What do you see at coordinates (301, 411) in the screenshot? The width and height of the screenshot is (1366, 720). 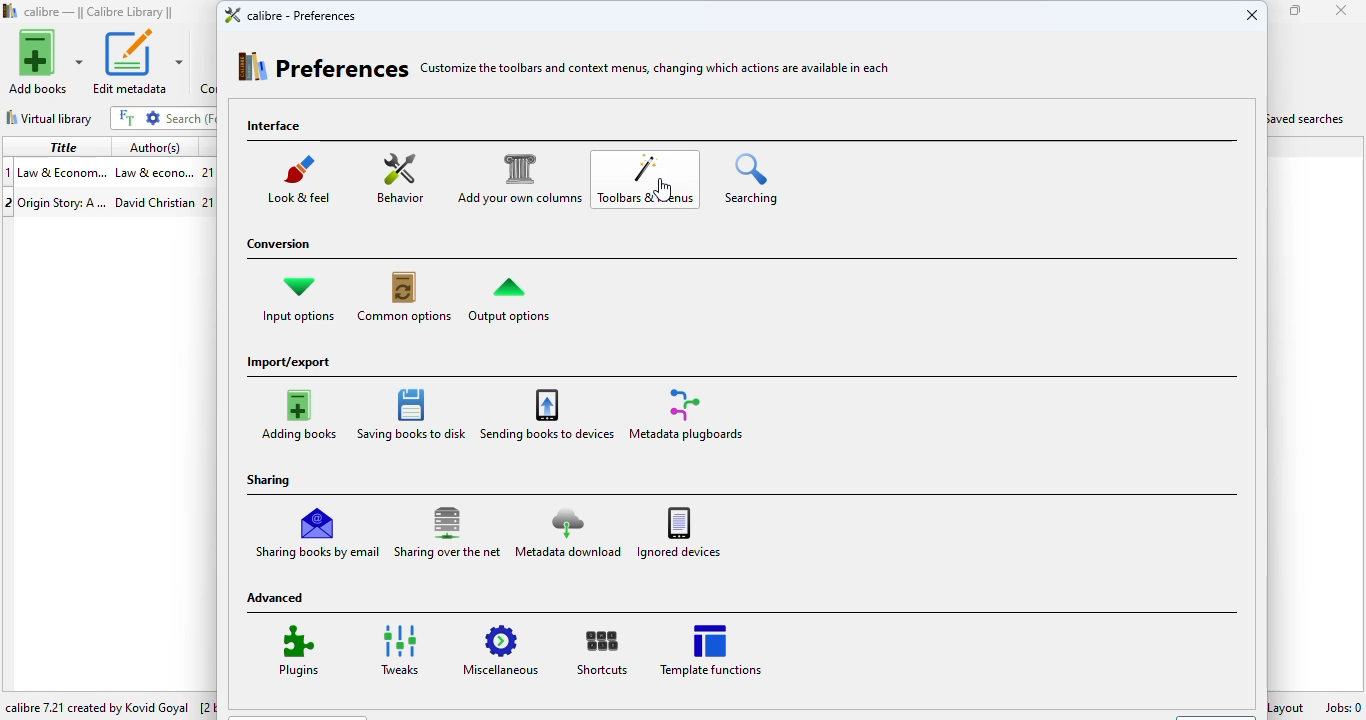 I see `adding books` at bounding box center [301, 411].